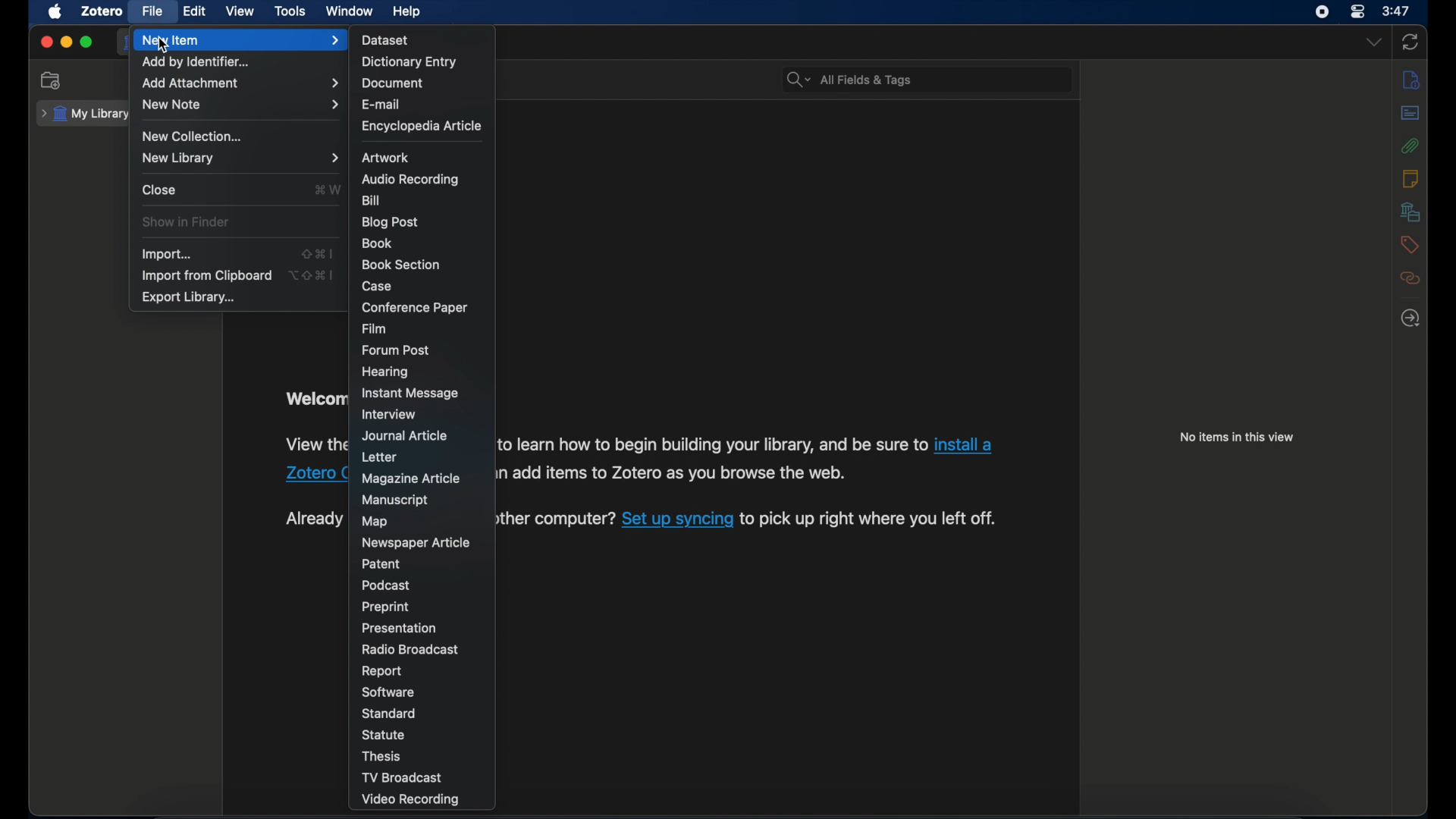 The width and height of the screenshot is (1456, 819). Describe the element at coordinates (410, 61) in the screenshot. I see `dictionary item` at that location.